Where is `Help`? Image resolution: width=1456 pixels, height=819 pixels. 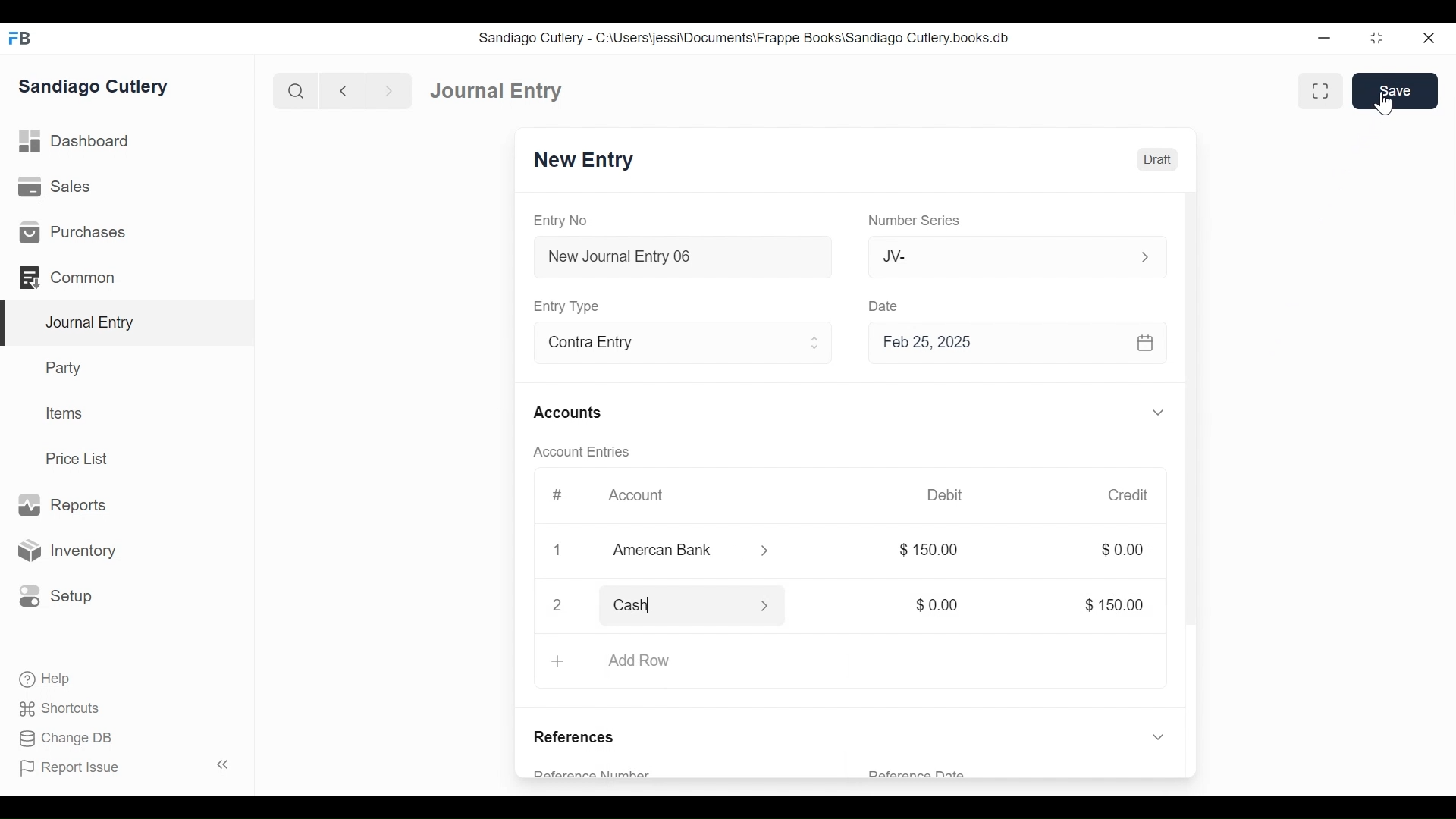
Help is located at coordinates (43, 678).